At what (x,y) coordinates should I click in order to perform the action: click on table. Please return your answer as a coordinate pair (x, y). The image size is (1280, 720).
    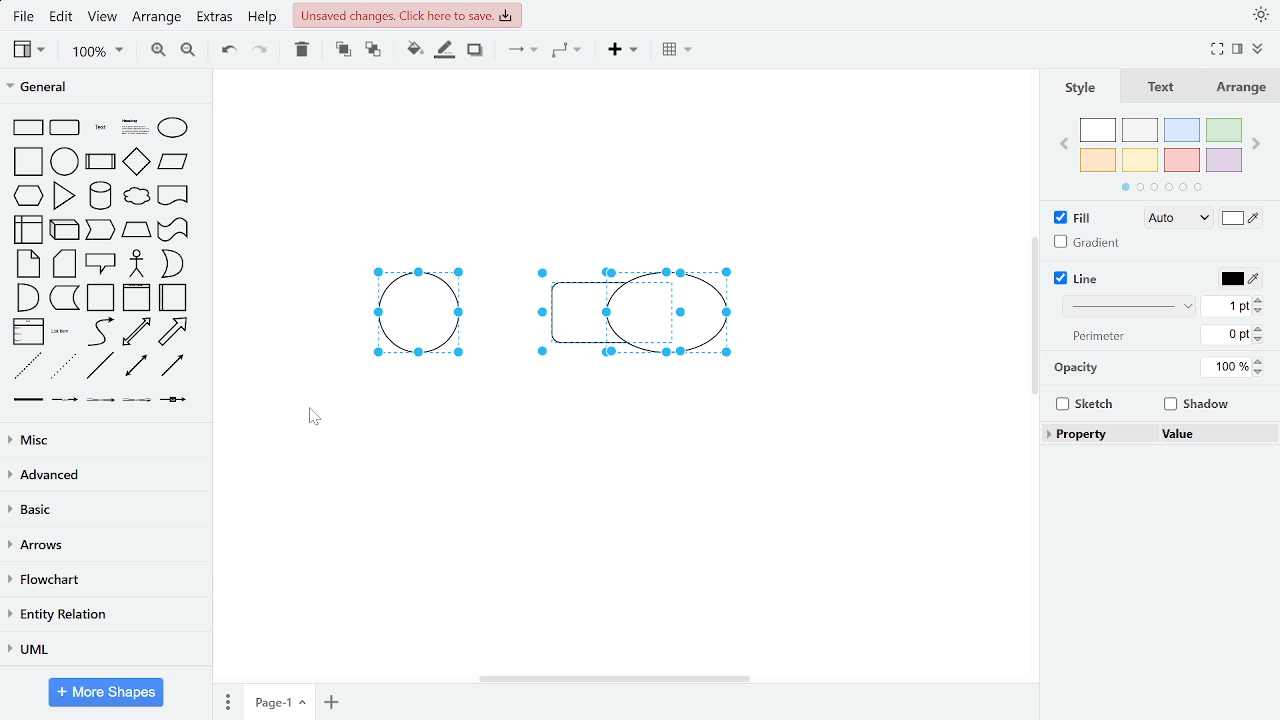
    Looking at the image, I should click on (674, 51).